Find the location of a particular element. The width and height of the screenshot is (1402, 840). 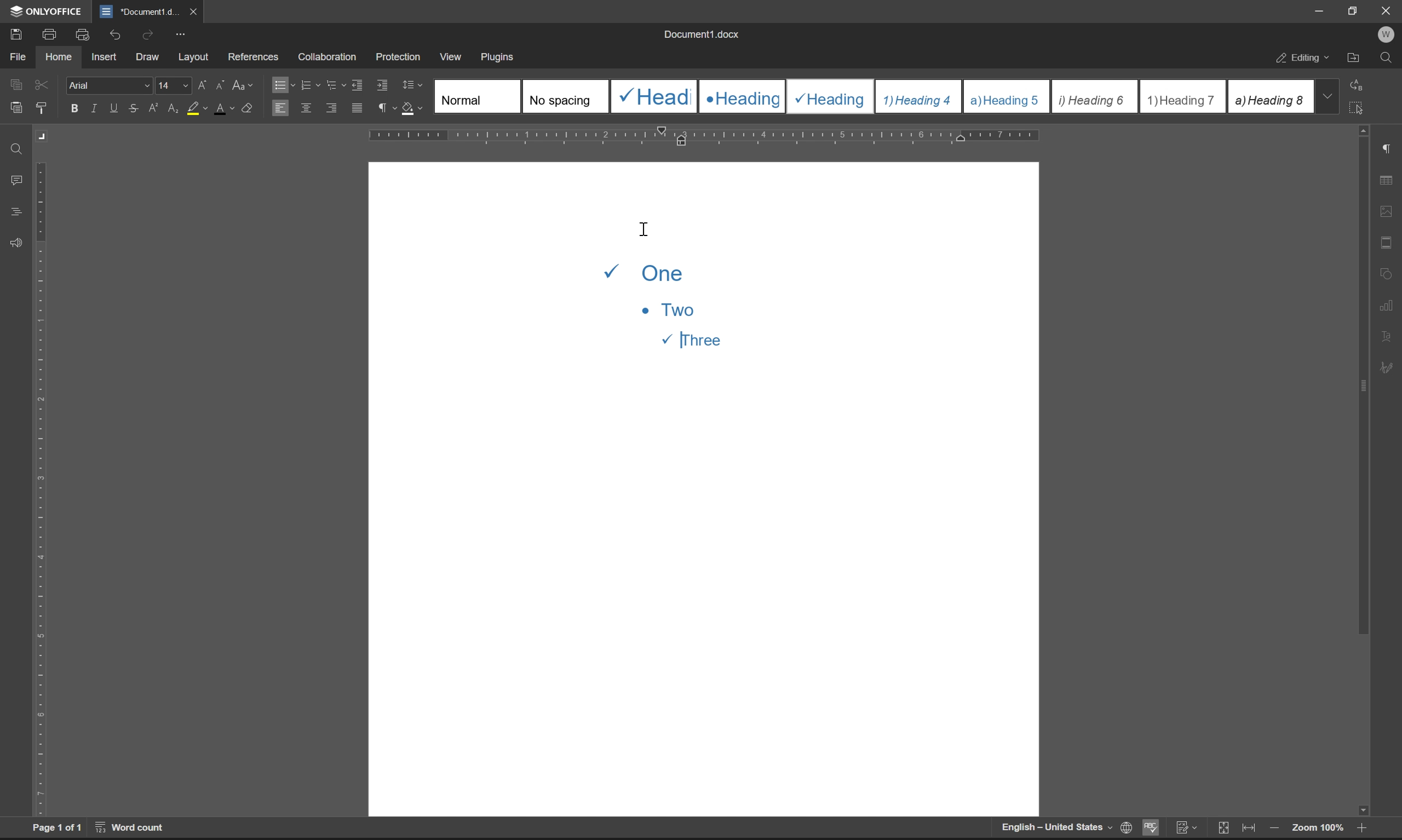

Heading 7 is located at coordinates (1183, 97).